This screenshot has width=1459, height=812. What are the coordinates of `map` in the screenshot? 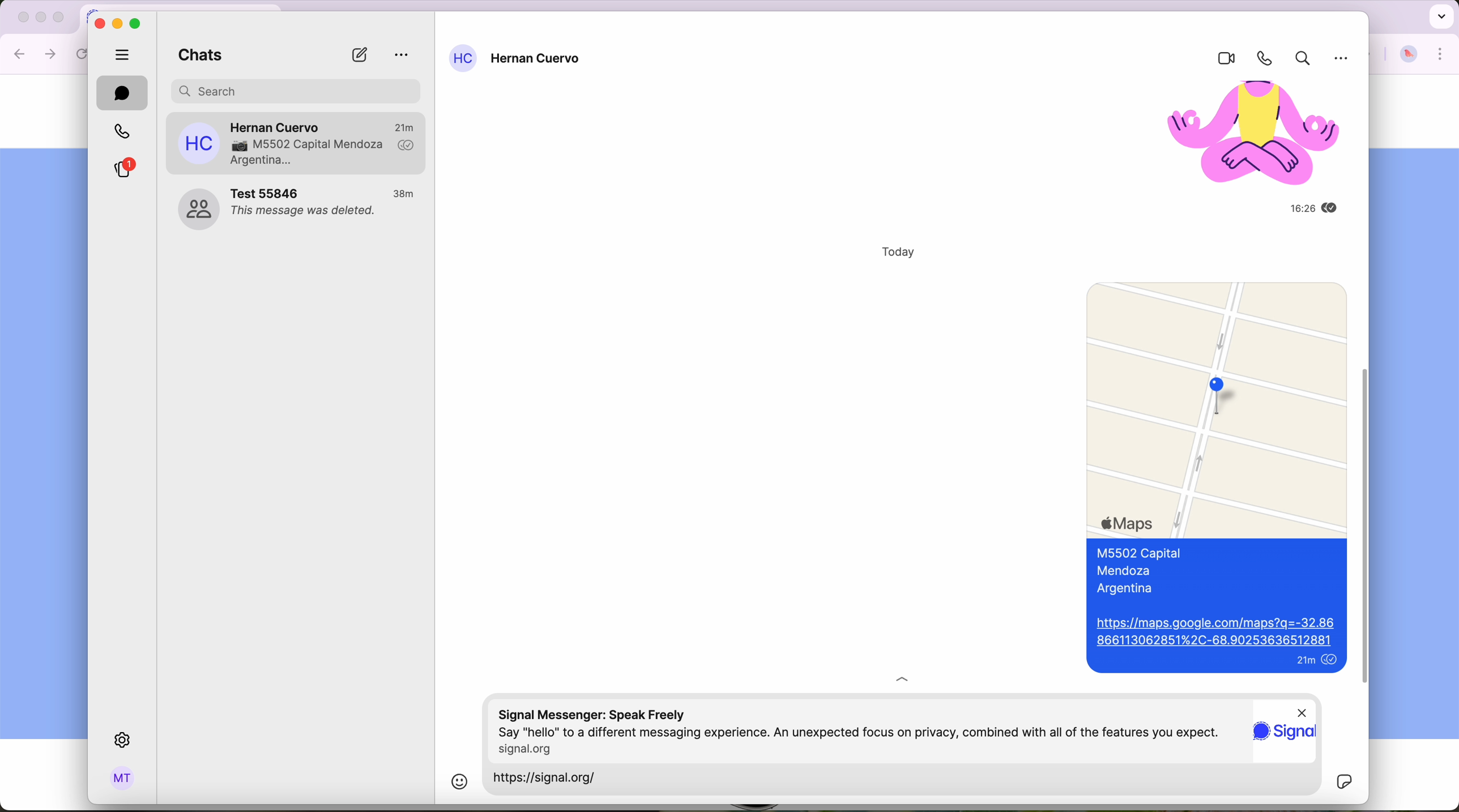 It's located at (1214, 406).